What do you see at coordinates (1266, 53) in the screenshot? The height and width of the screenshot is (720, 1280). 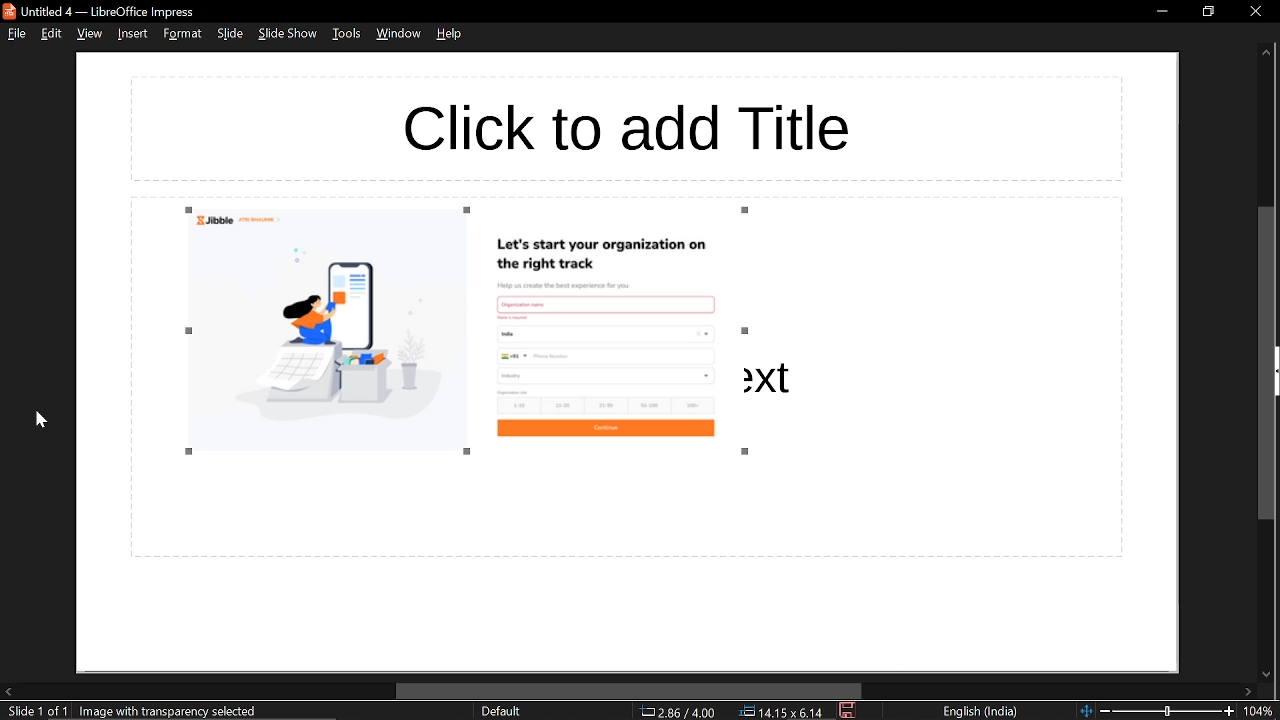 I see `Move up` at bounding box center [1266, 53].